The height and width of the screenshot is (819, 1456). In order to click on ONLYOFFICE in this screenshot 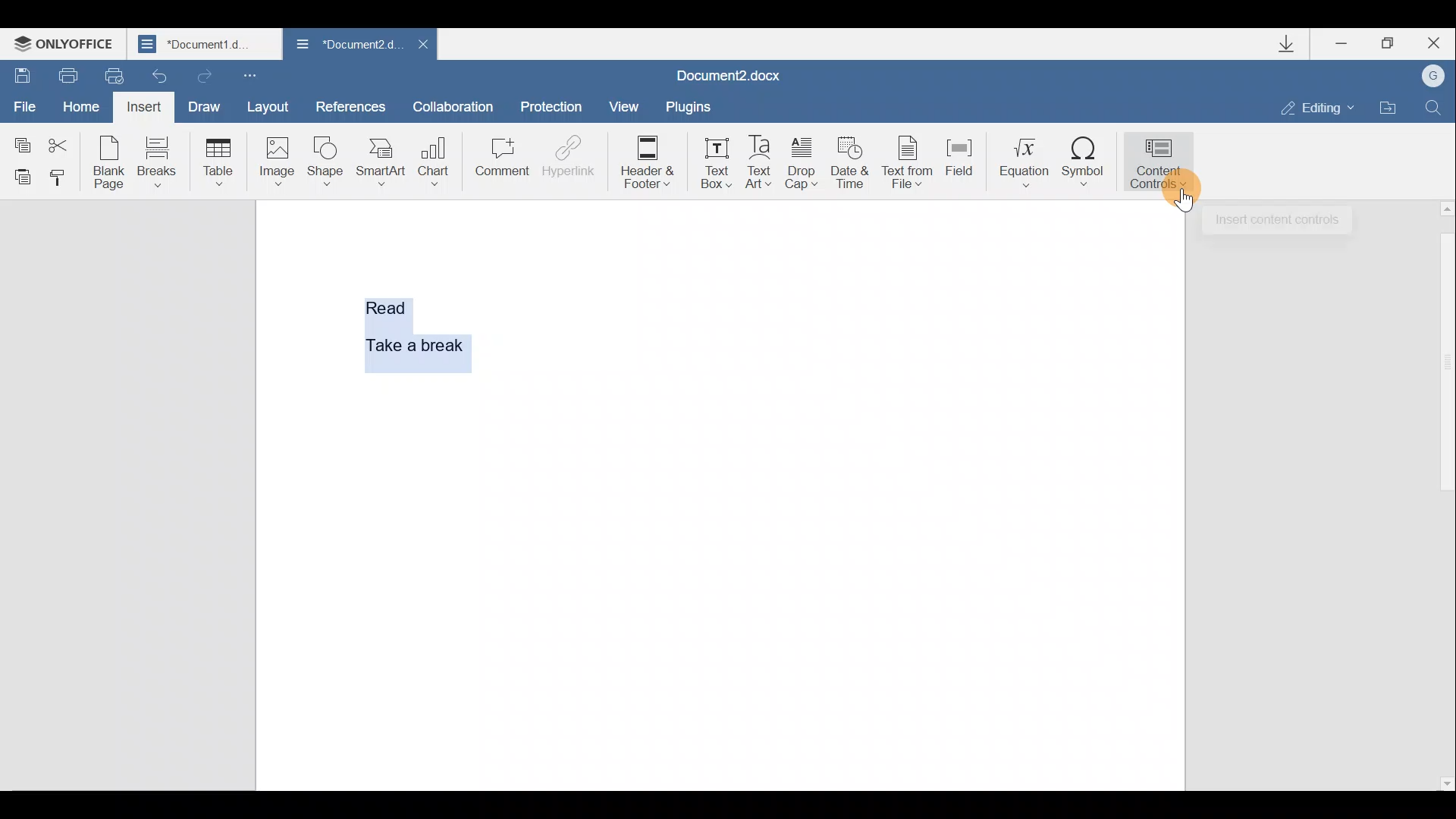, I will do `click(67, 45)`.